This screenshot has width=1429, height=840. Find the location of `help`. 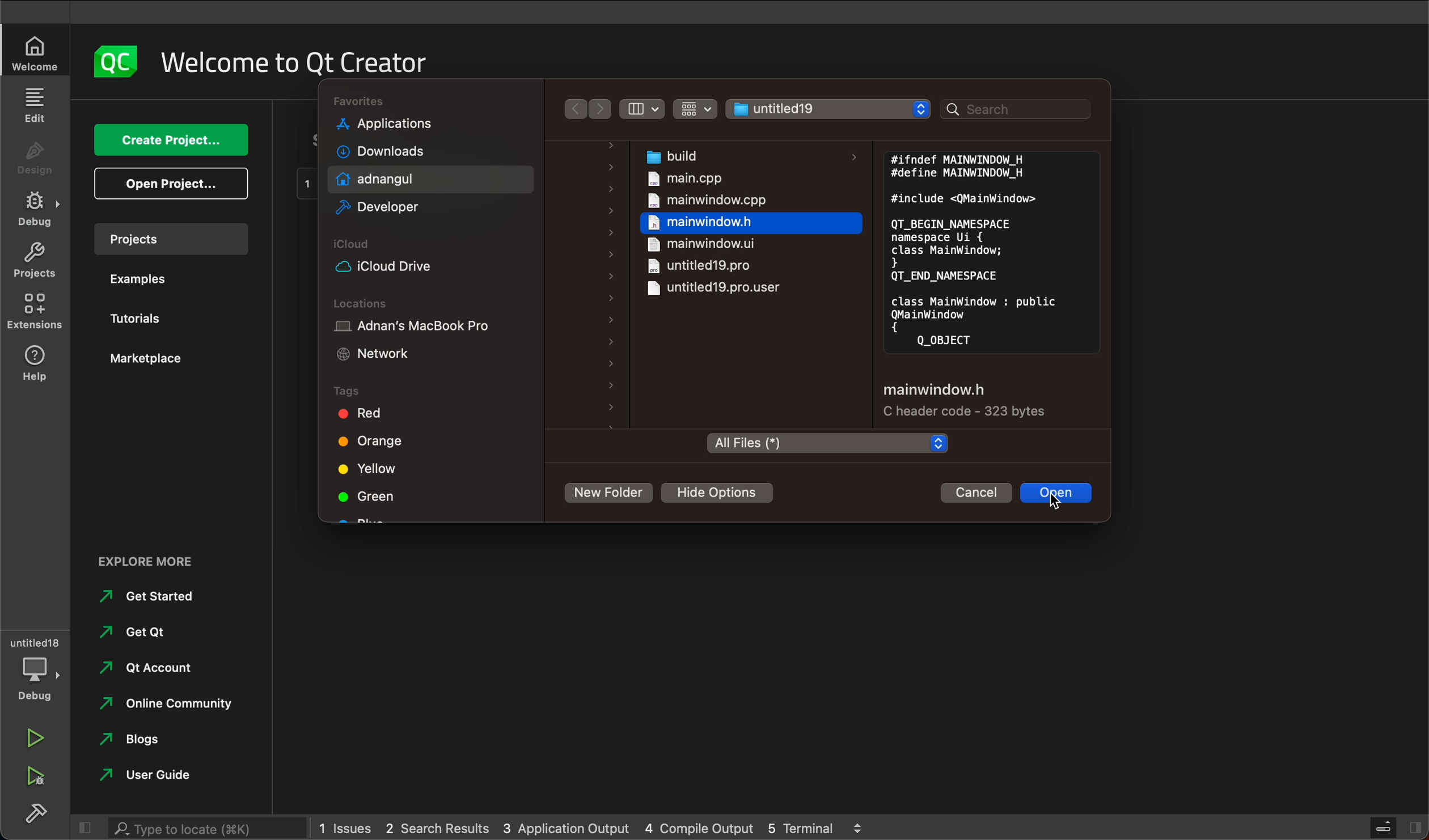

help is located at coordinates (35, 361).